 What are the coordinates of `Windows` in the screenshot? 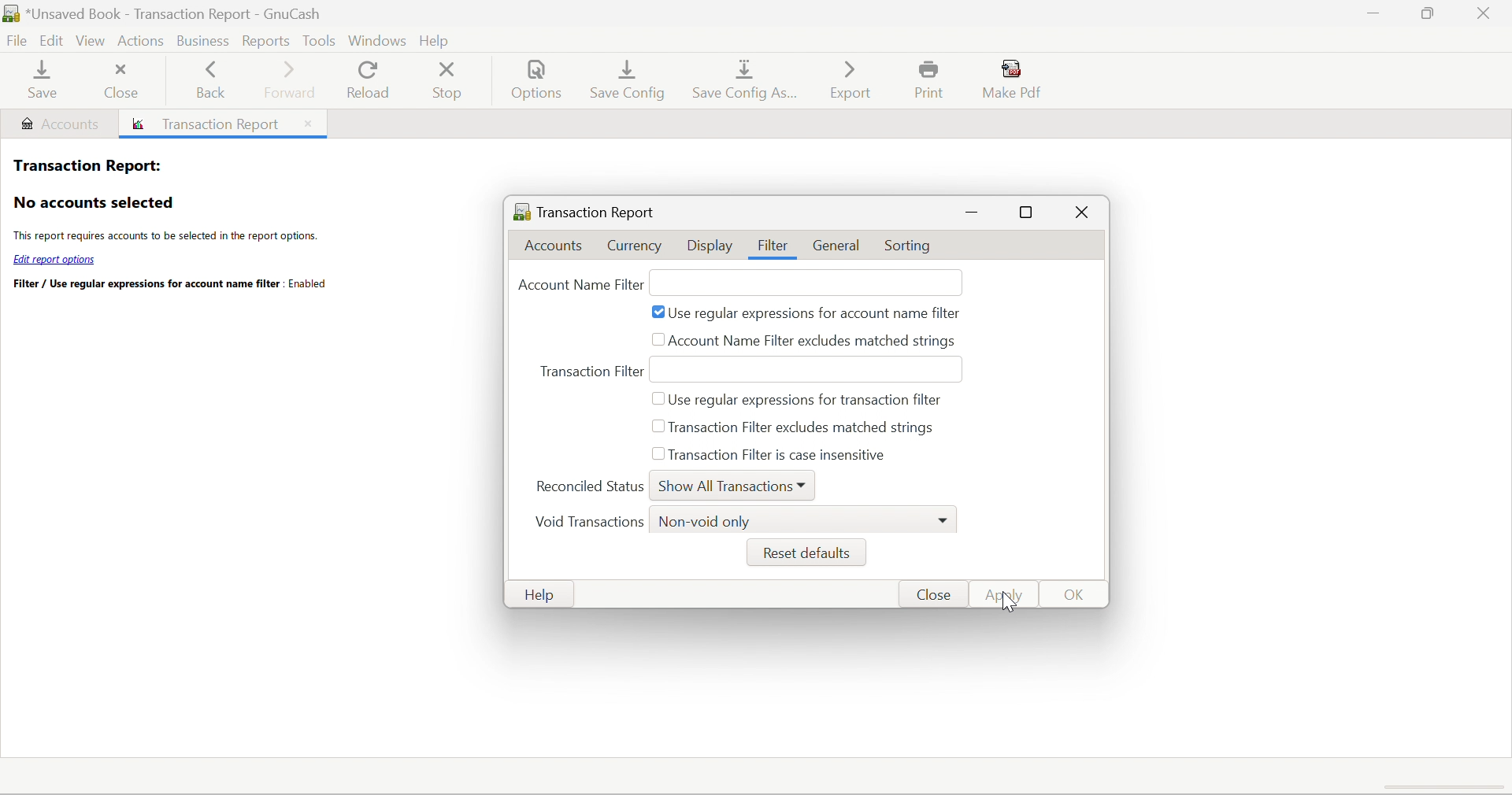 It's located at (376, 39).